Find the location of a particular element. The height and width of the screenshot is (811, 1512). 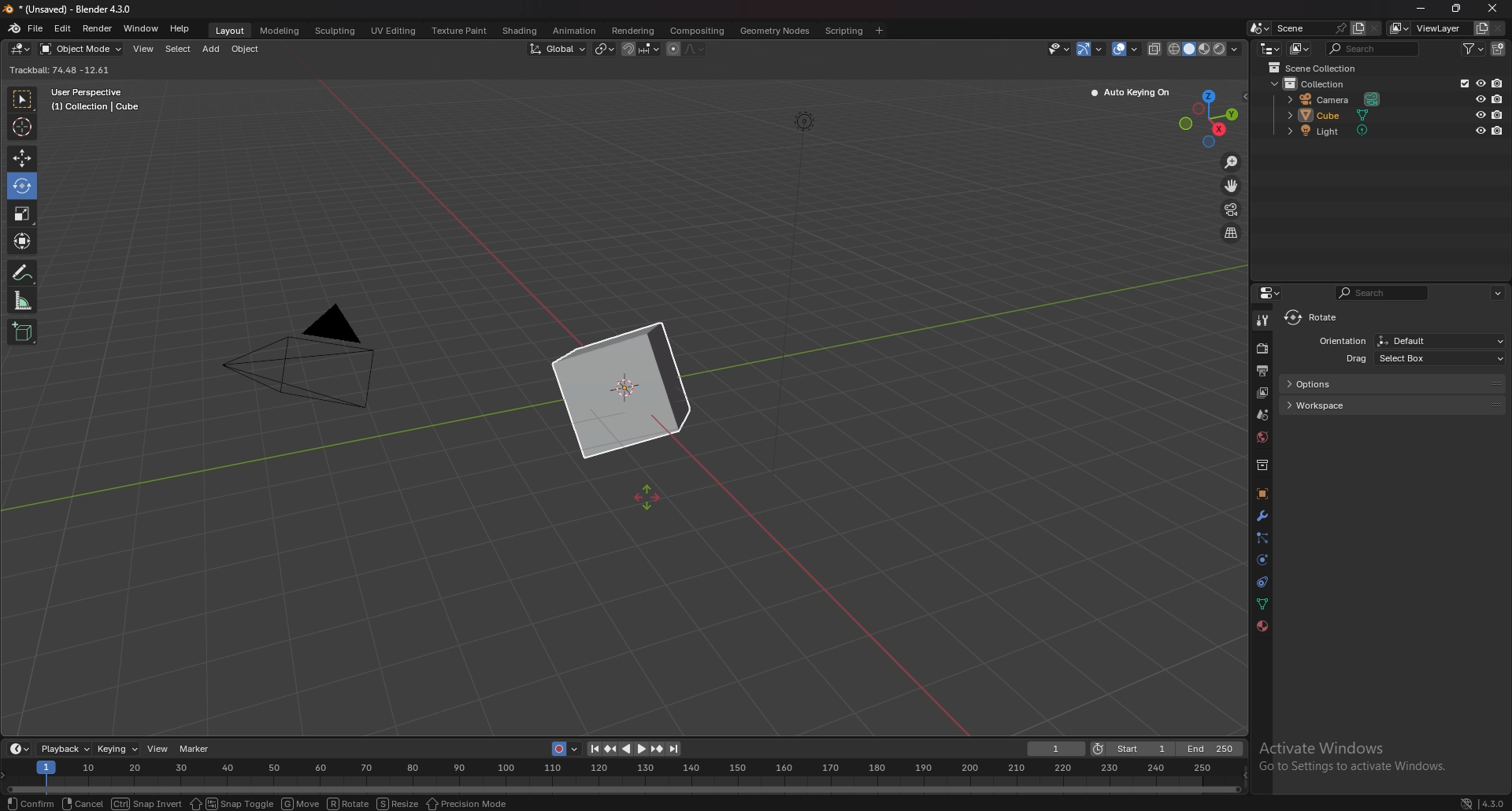

object mode is located at coordinates (81, 49).